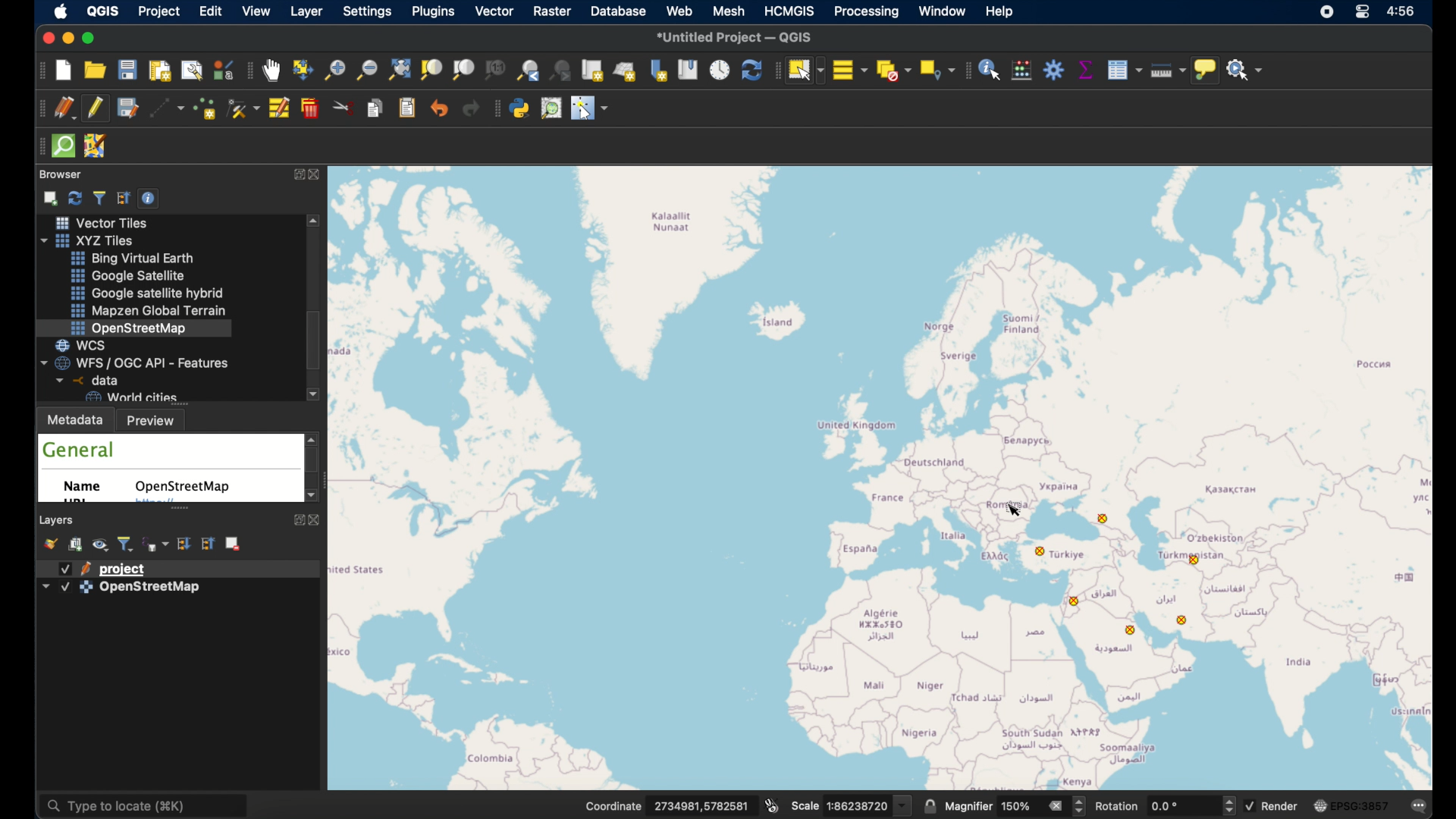 The width and height of the screenshot is (1456, 819). I want to click on control center, so click(1364, 14).